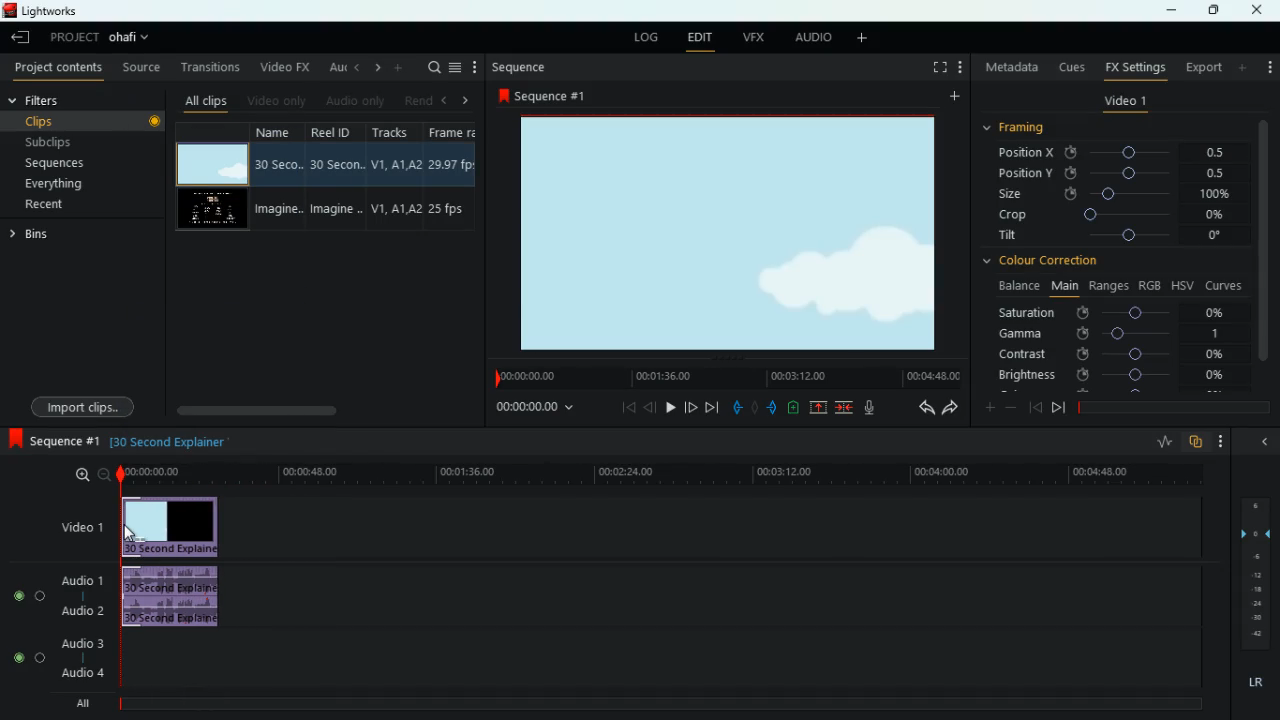 Image resolution: width=1280 pixels, height=720 pixels. Describe the element at coordinates (277, 102) in the screenshot. I see `video only` at that location.